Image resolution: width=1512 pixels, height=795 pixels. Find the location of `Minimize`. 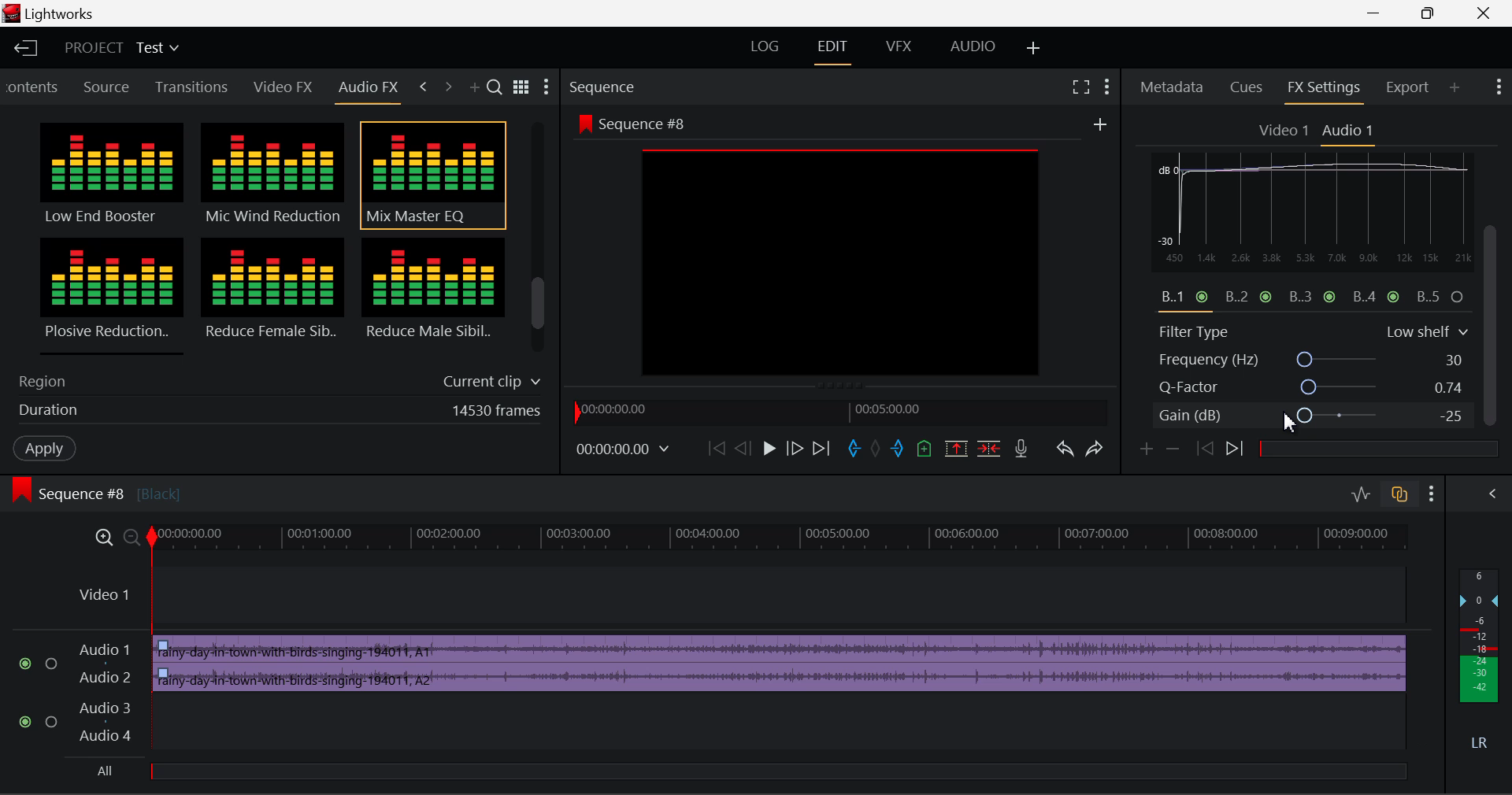

Minimize is located at coordinates (1435, 13).